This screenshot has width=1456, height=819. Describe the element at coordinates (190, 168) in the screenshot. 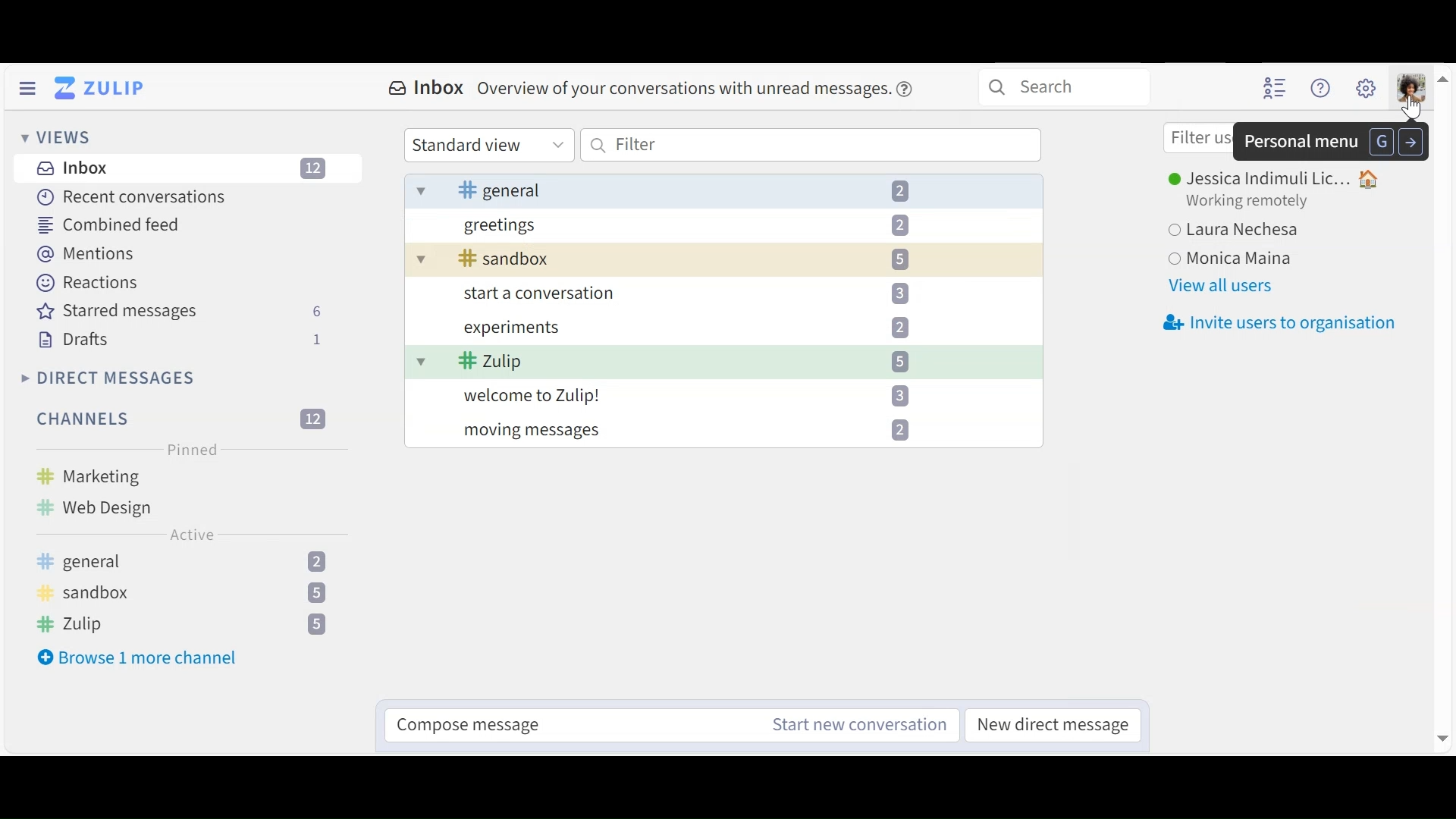

I see `Inbox` at that location.